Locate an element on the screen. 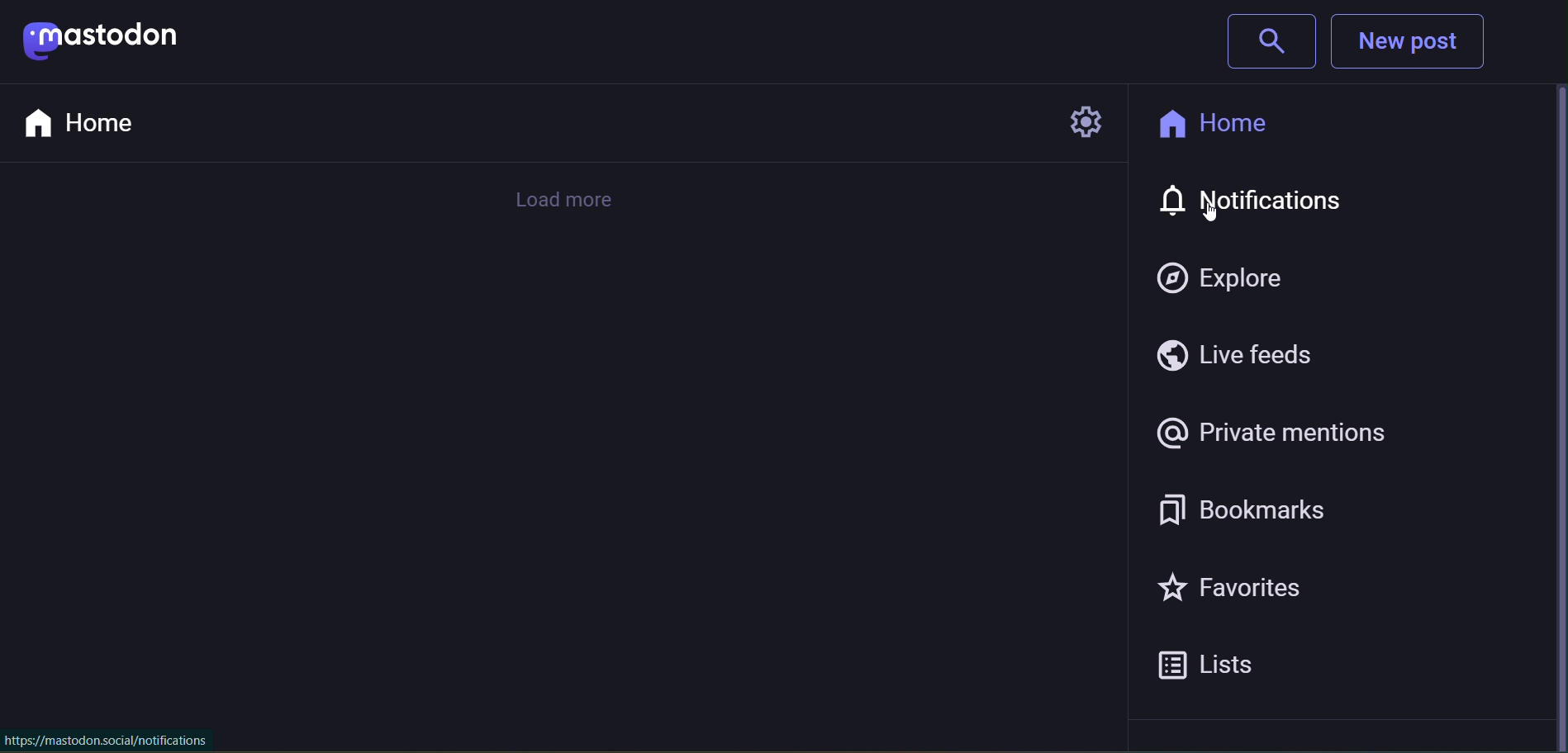 The height and width of the screenshot is (753, 1568). Private Mentions is located at coordinates (1280, 433).